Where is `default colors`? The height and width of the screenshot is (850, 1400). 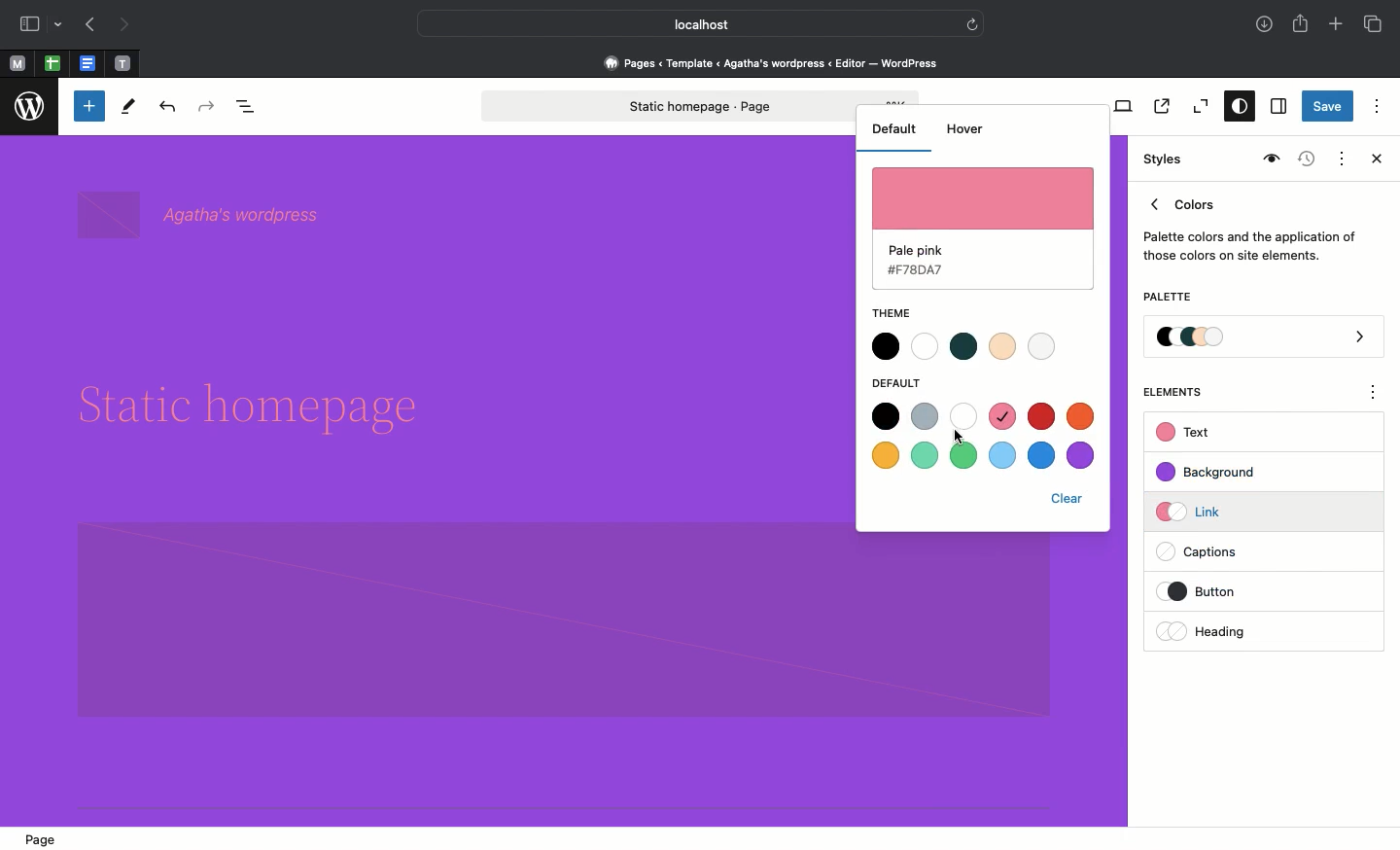
default colors is located at coordinates (982, 437).